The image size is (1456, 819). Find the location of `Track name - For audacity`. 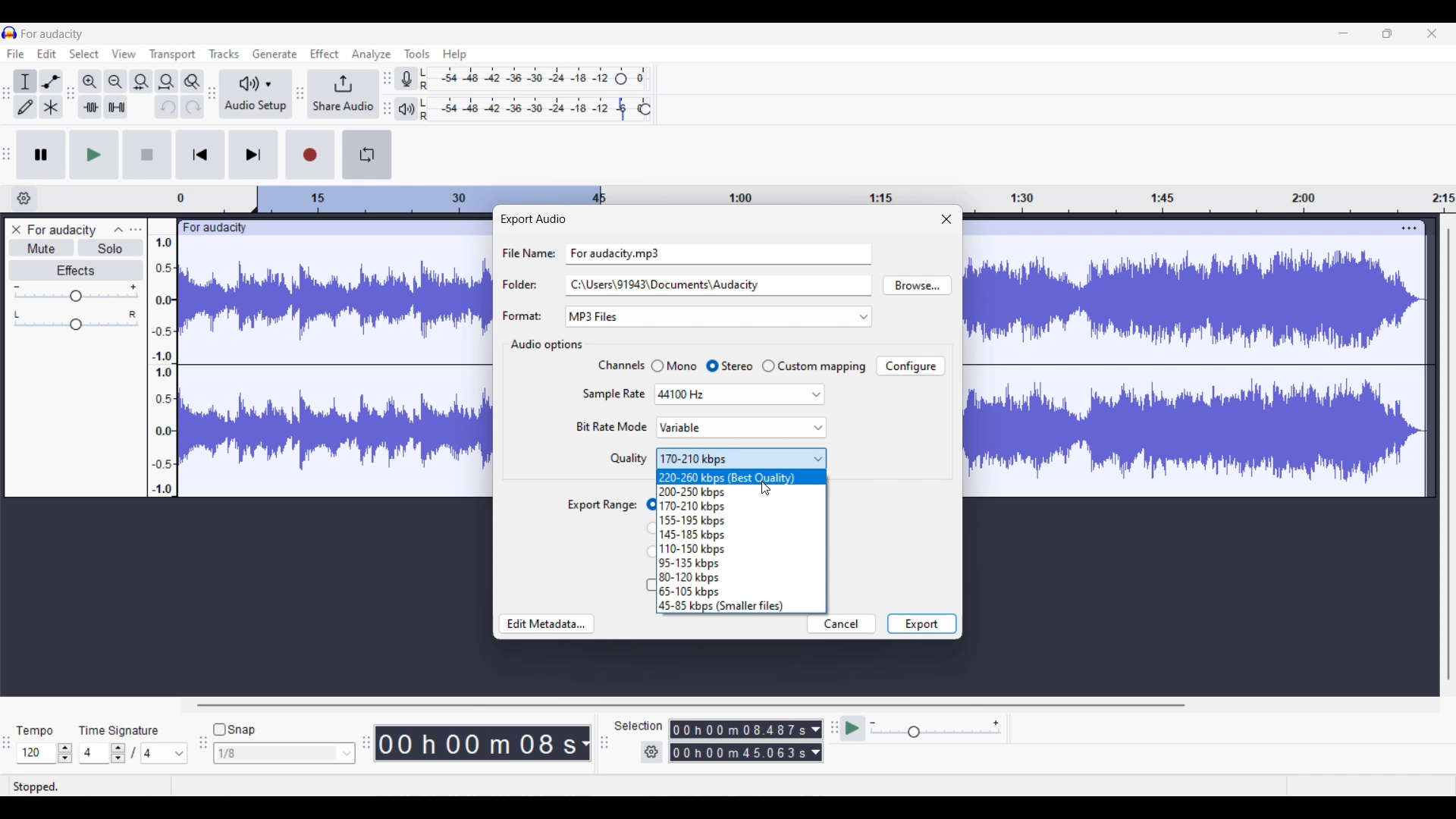

Track name - For audacity is located at coordinates (63, 230).